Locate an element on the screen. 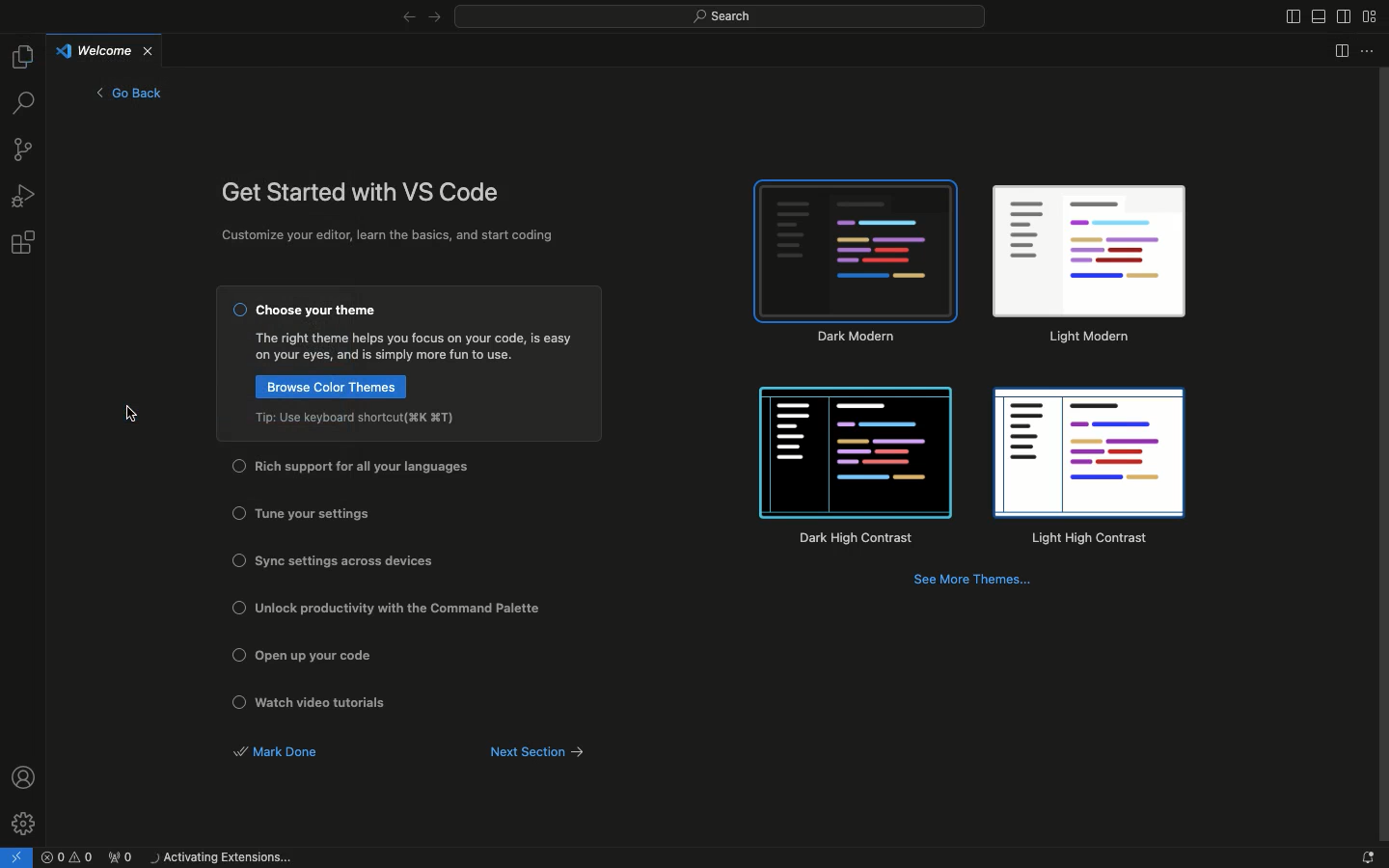 The width and height of the screenshot is (1389, 868). cursor is located at coordinates (134, 413).